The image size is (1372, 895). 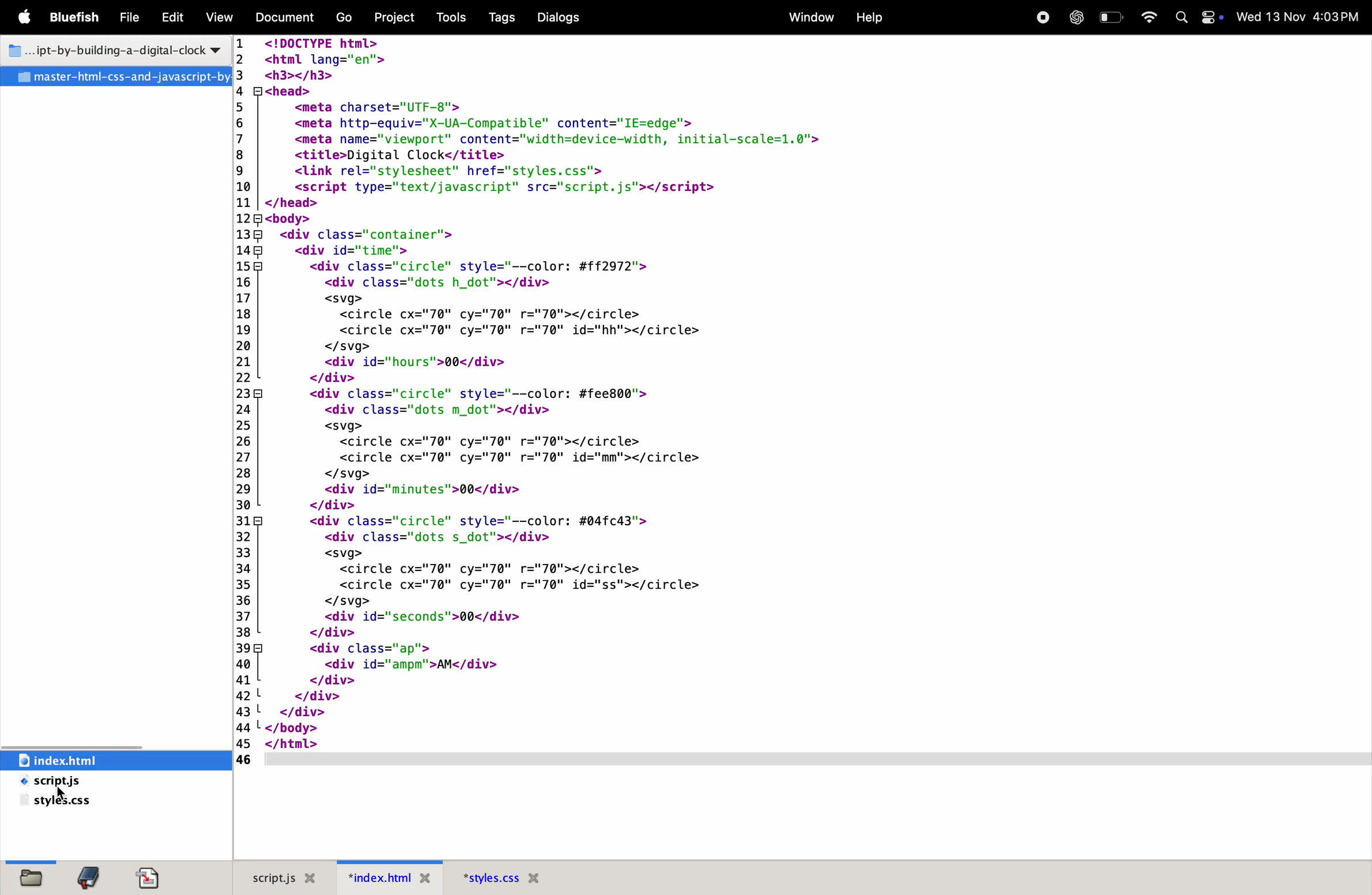 What do you see at coordinates (216, 18) in the screenshot?
I see `view` at bounding box center [216, 18].